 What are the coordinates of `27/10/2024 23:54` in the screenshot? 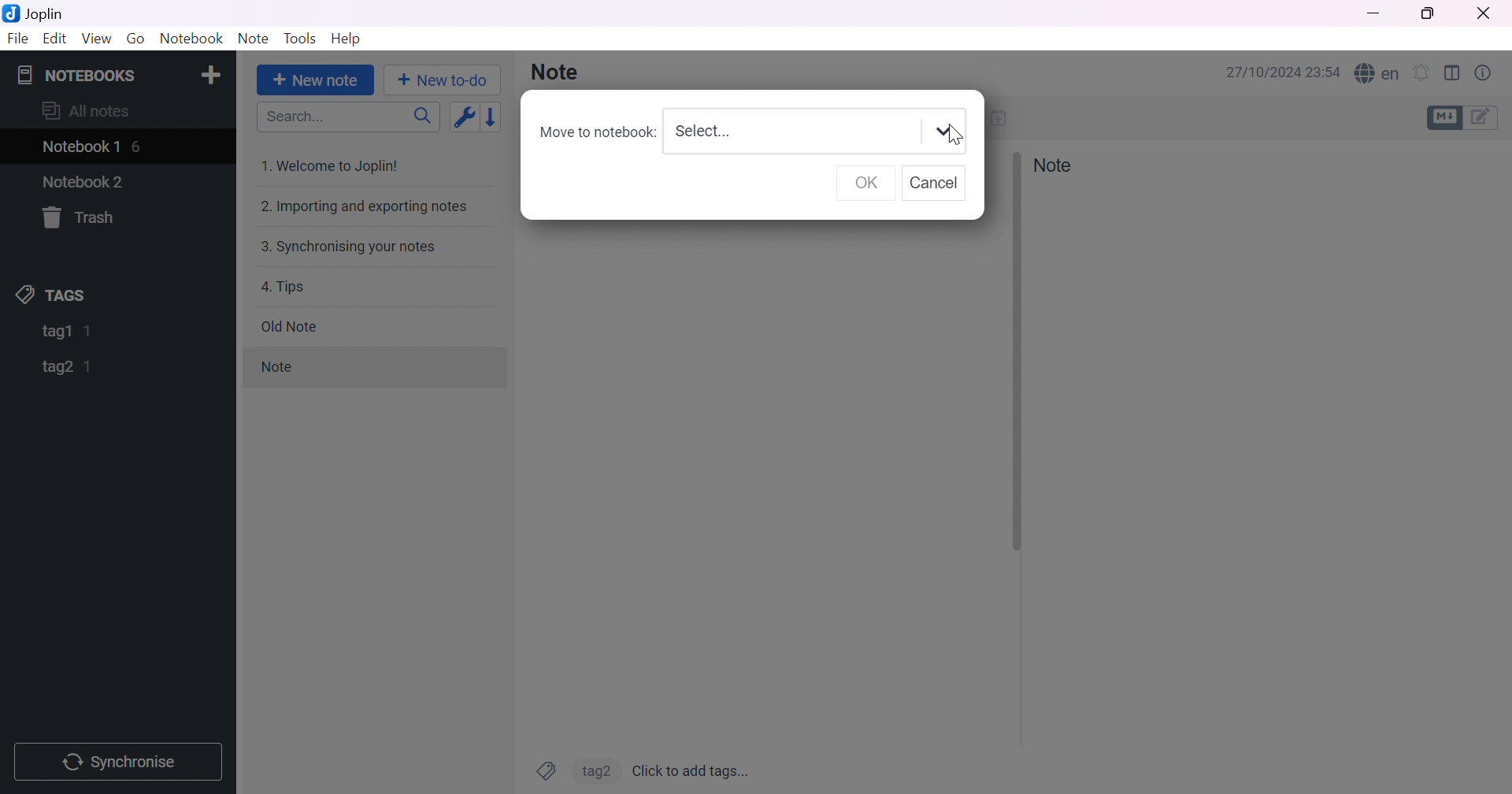 It's located at (1284, 72).